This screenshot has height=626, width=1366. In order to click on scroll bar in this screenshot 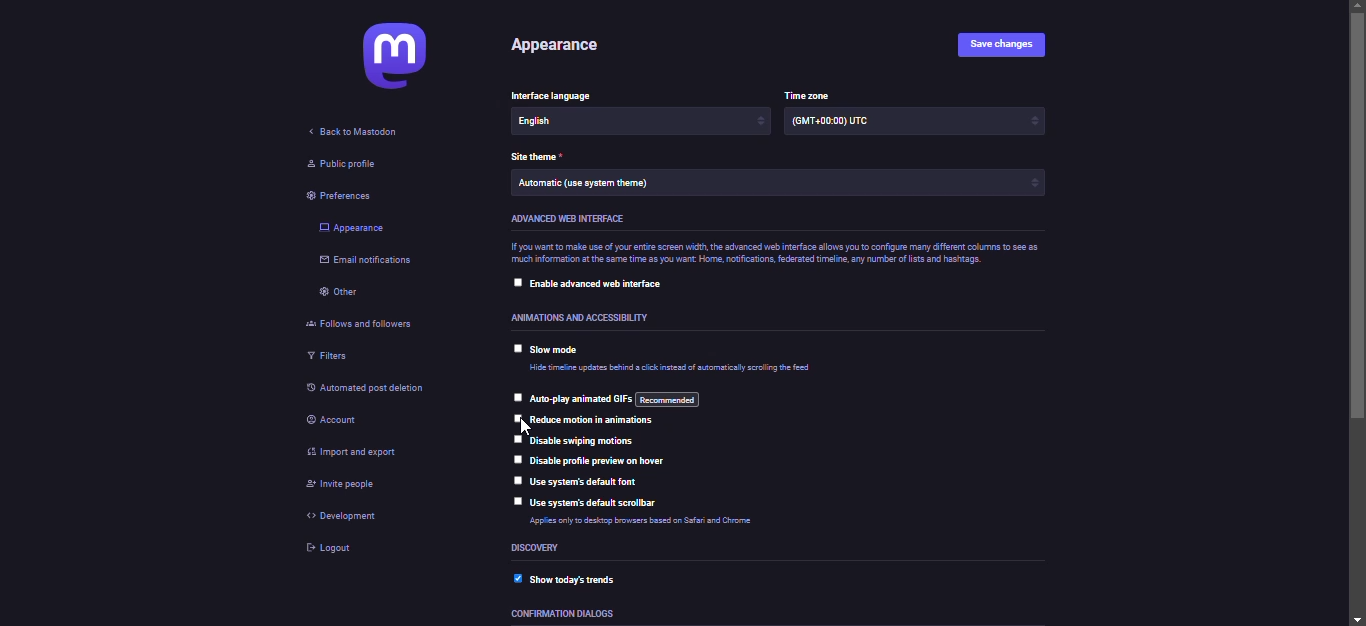, I will do `click(1356, 312)`.